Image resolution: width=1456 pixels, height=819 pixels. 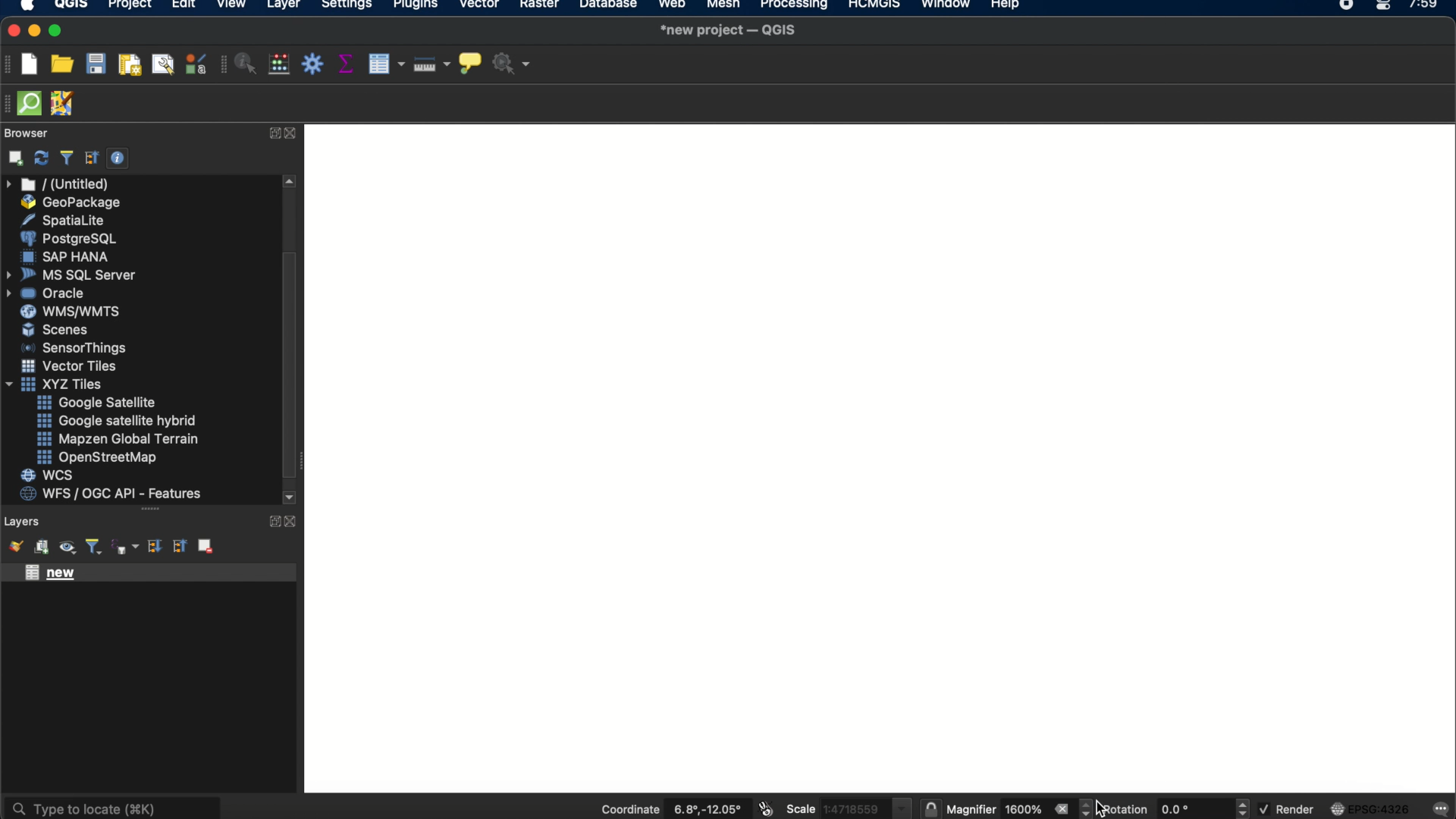 I want to click on more, so click(x=149, y=510).